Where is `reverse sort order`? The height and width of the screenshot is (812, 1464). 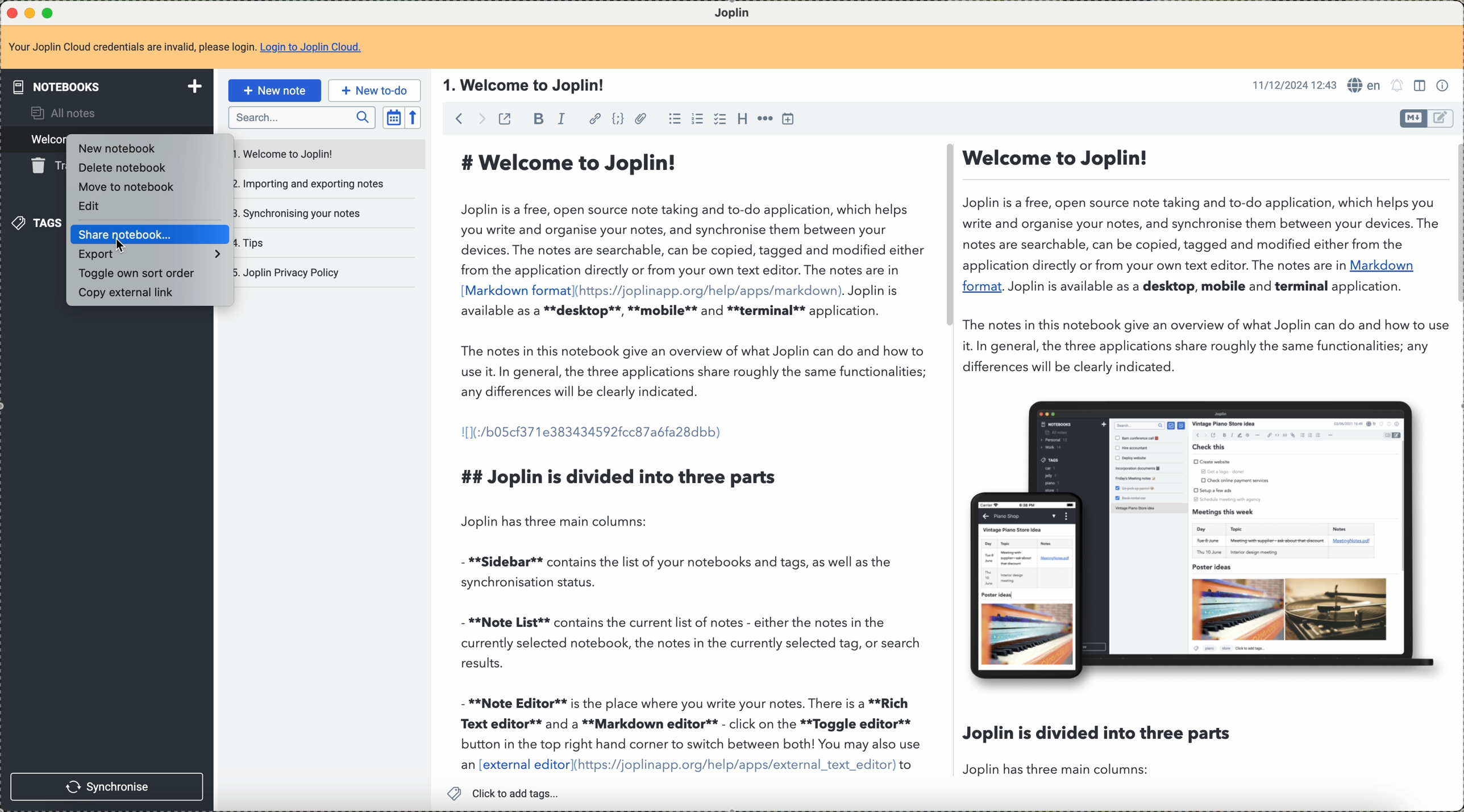
reverse sort order is located at coordinates (412, 118).